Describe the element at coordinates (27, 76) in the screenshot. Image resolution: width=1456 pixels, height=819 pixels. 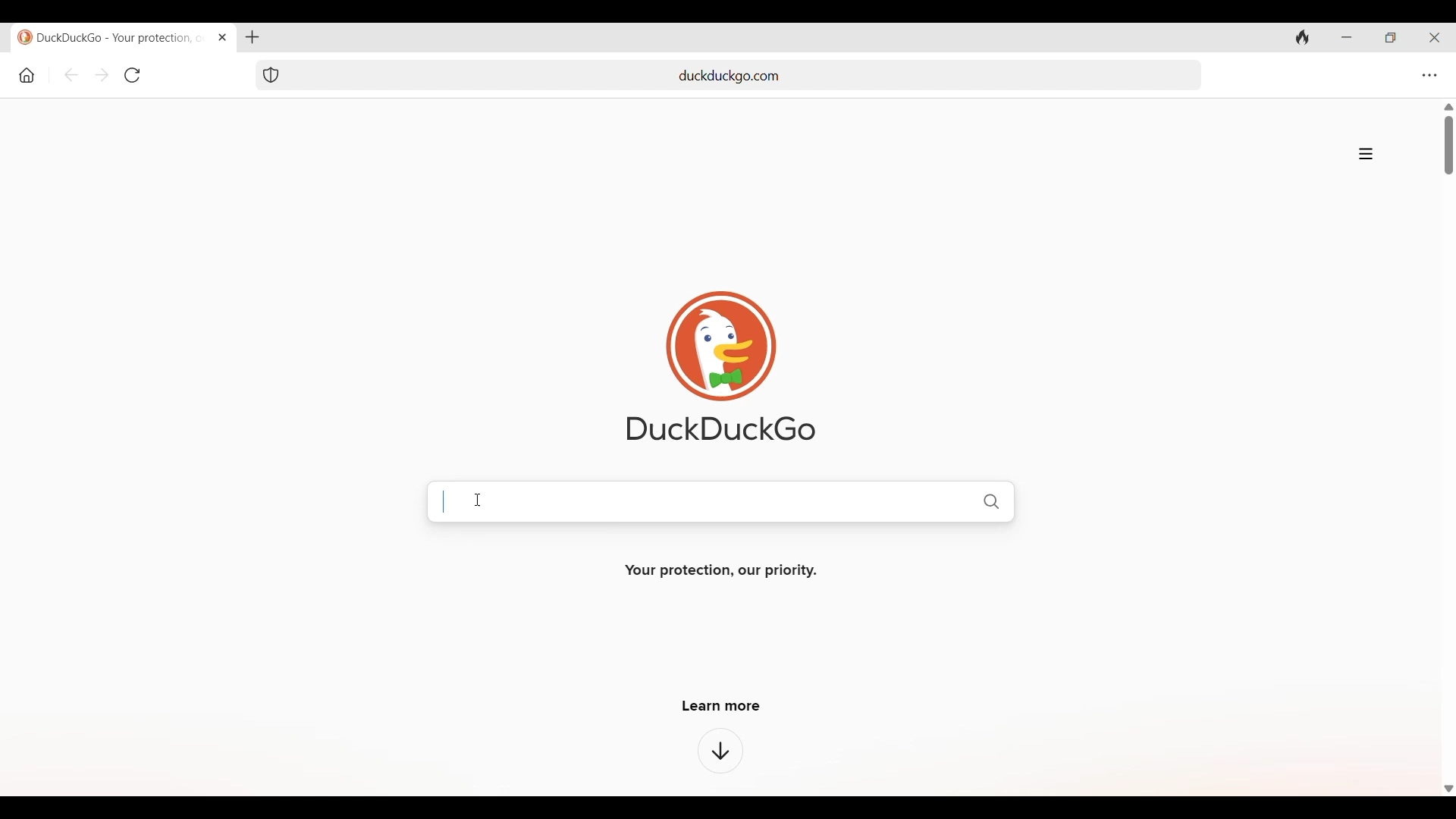
I see `Home` at that location.